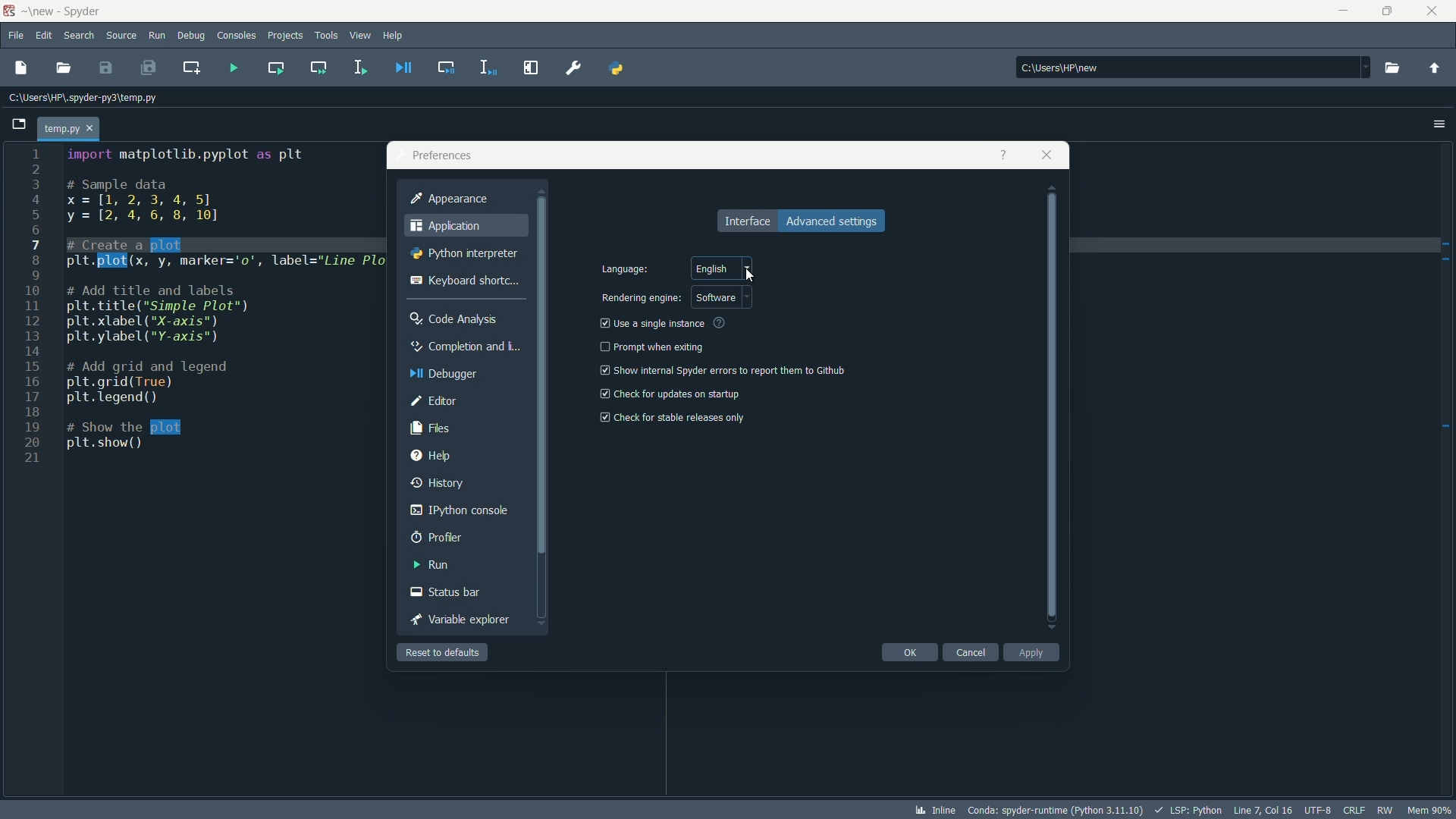 The width and height of the screenshot is (1456, 819). What do you see at coordinates (723, 298) in the screenshot?
I see `software` at bounding box center [723, 298].